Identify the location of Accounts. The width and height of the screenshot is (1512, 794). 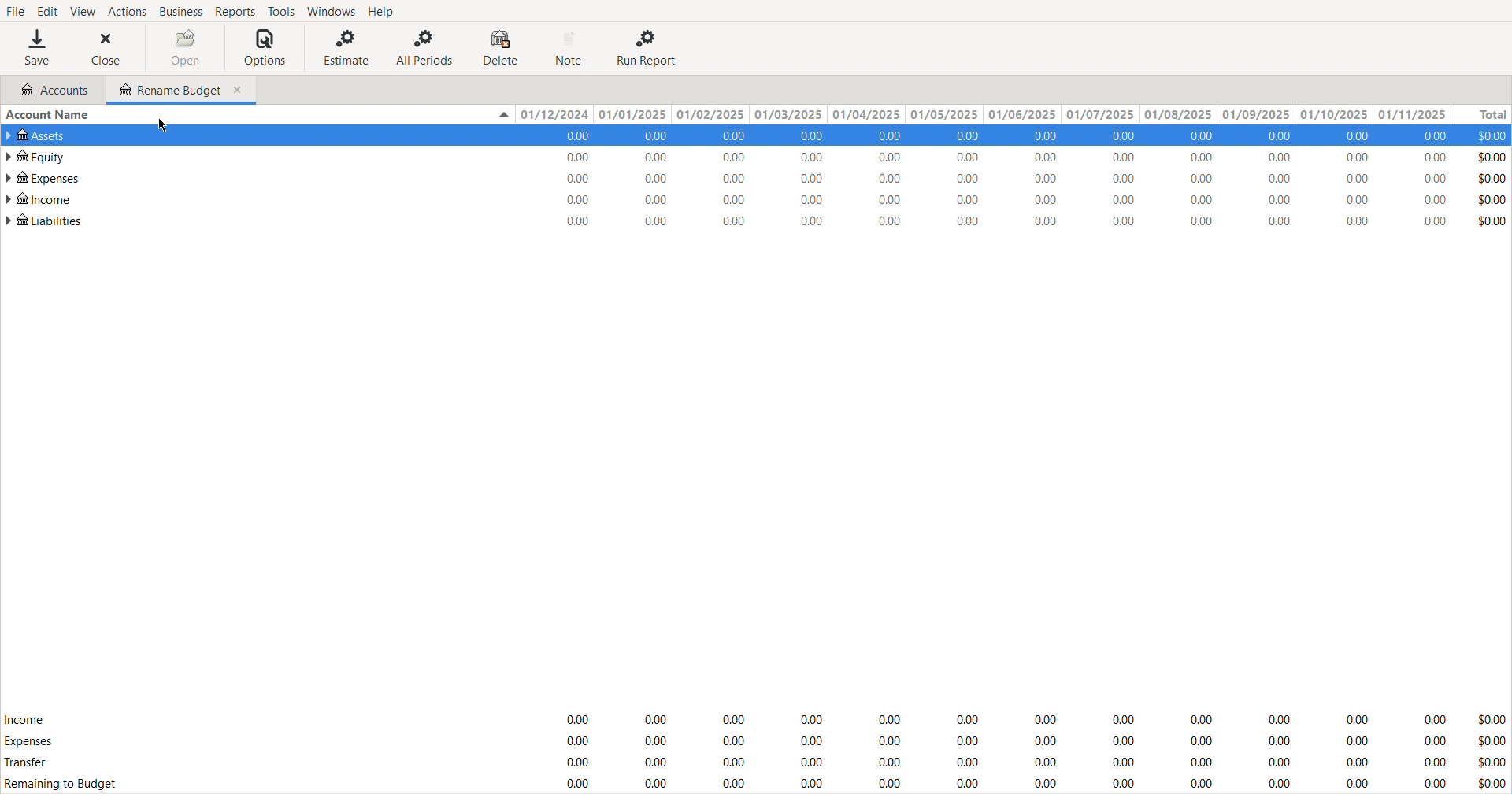
(49, 90).